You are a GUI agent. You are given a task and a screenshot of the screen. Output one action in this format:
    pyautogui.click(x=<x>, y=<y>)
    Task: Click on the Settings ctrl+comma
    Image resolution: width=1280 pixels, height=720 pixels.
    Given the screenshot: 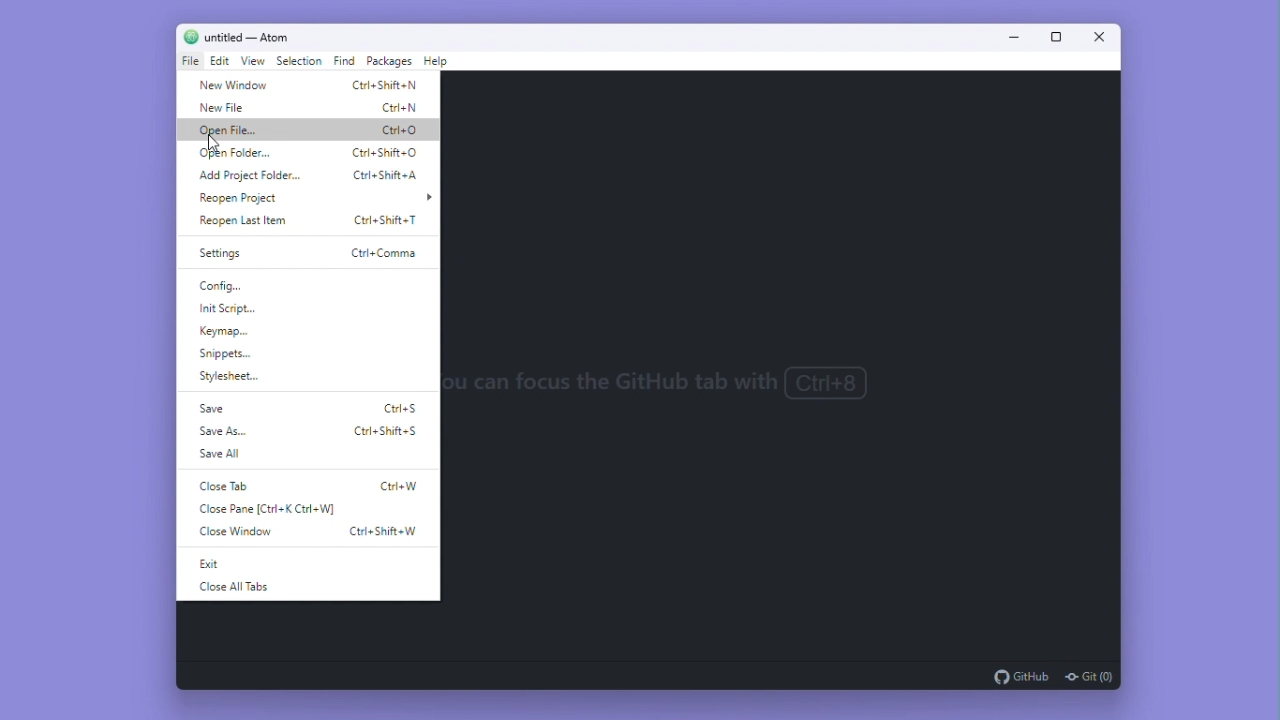 What is the action you would take?
    pyautogui.click(x=301, y=250)
    